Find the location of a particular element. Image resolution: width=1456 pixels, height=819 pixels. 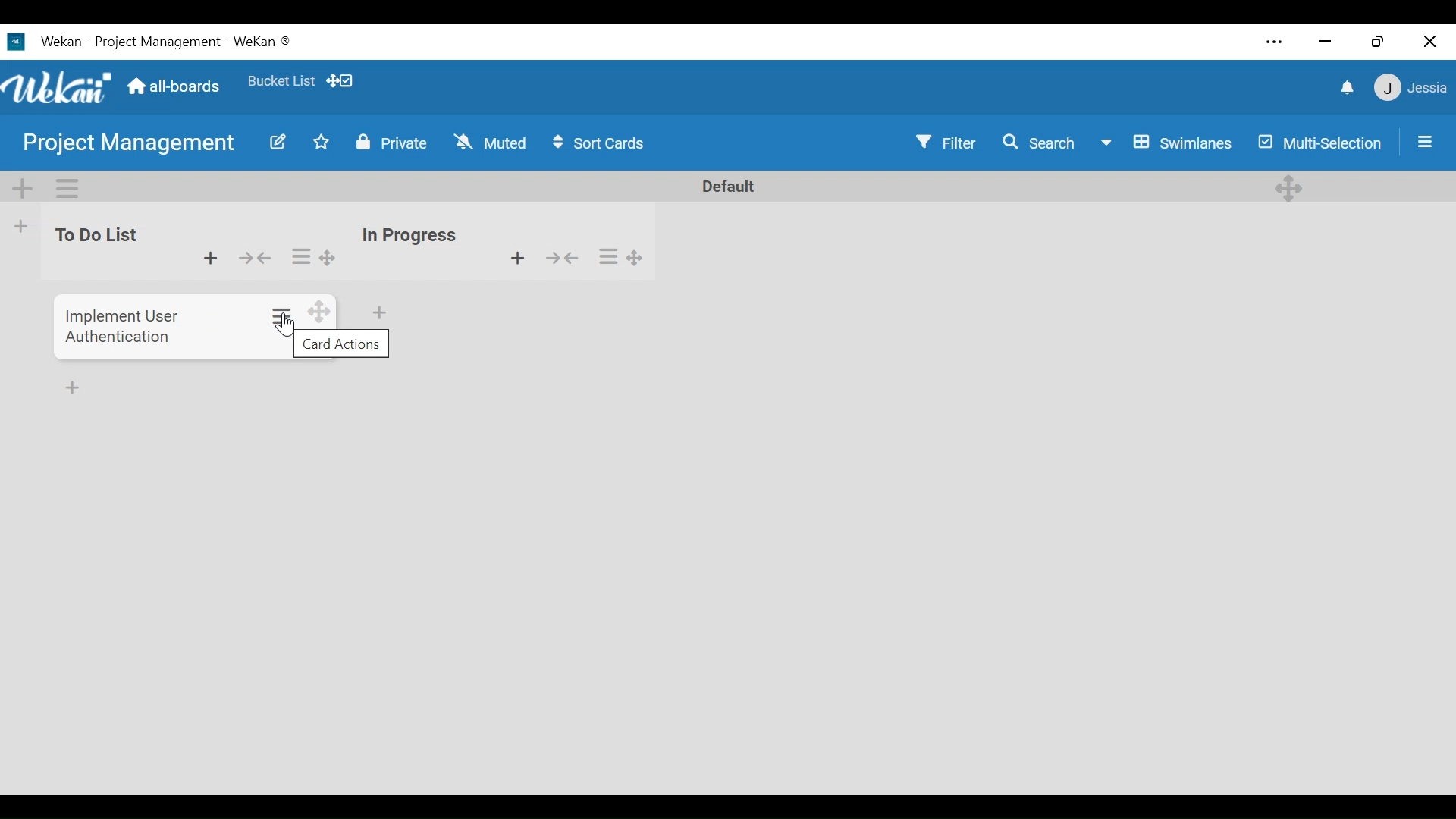

Swimlanes is located at coordinates (1166, 141).